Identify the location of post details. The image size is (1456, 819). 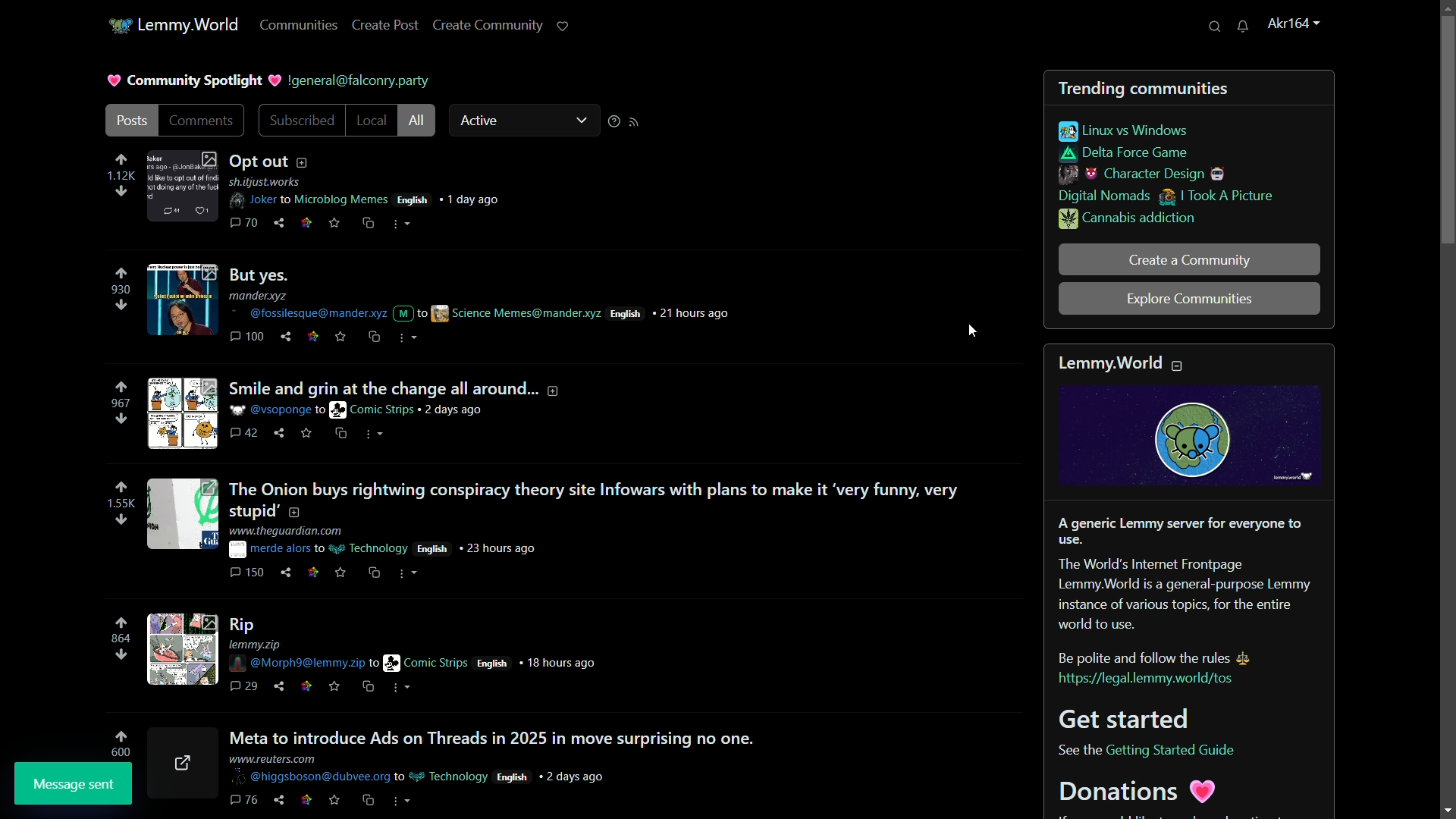
(372, 190).